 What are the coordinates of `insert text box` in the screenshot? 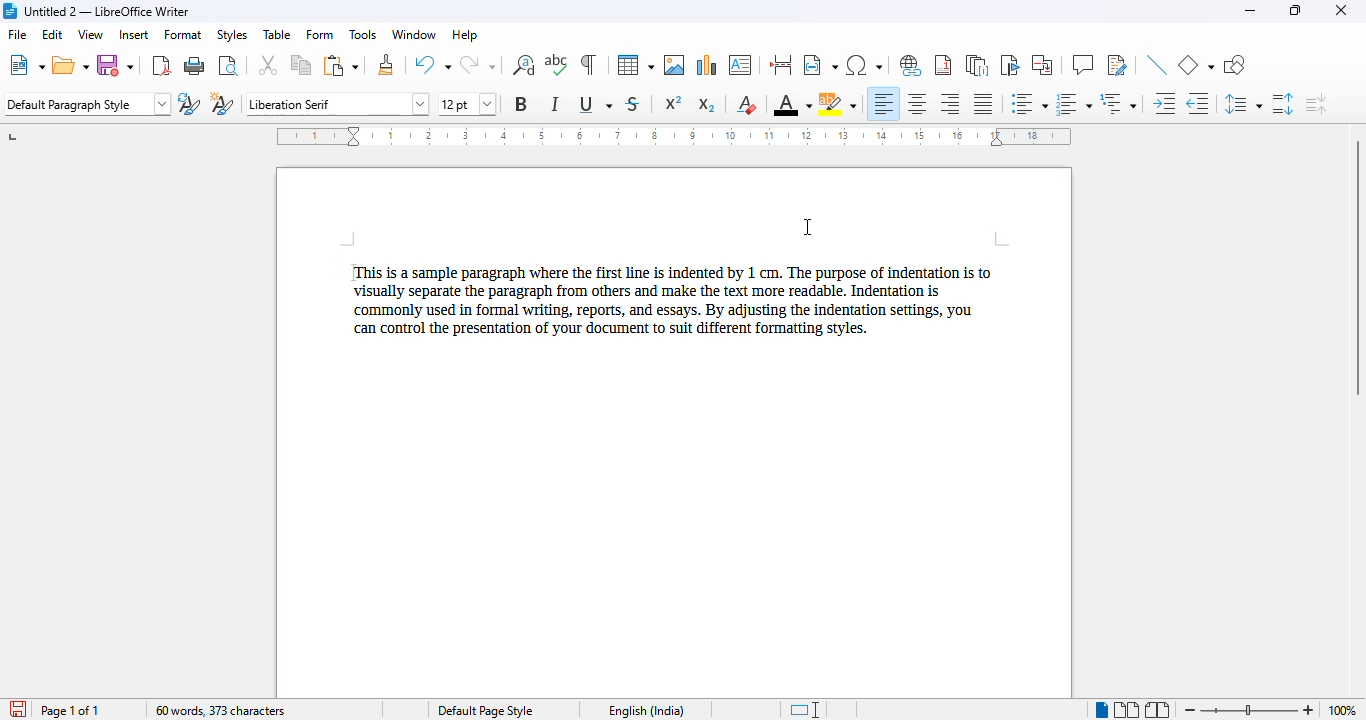 It's located at (741, 65).